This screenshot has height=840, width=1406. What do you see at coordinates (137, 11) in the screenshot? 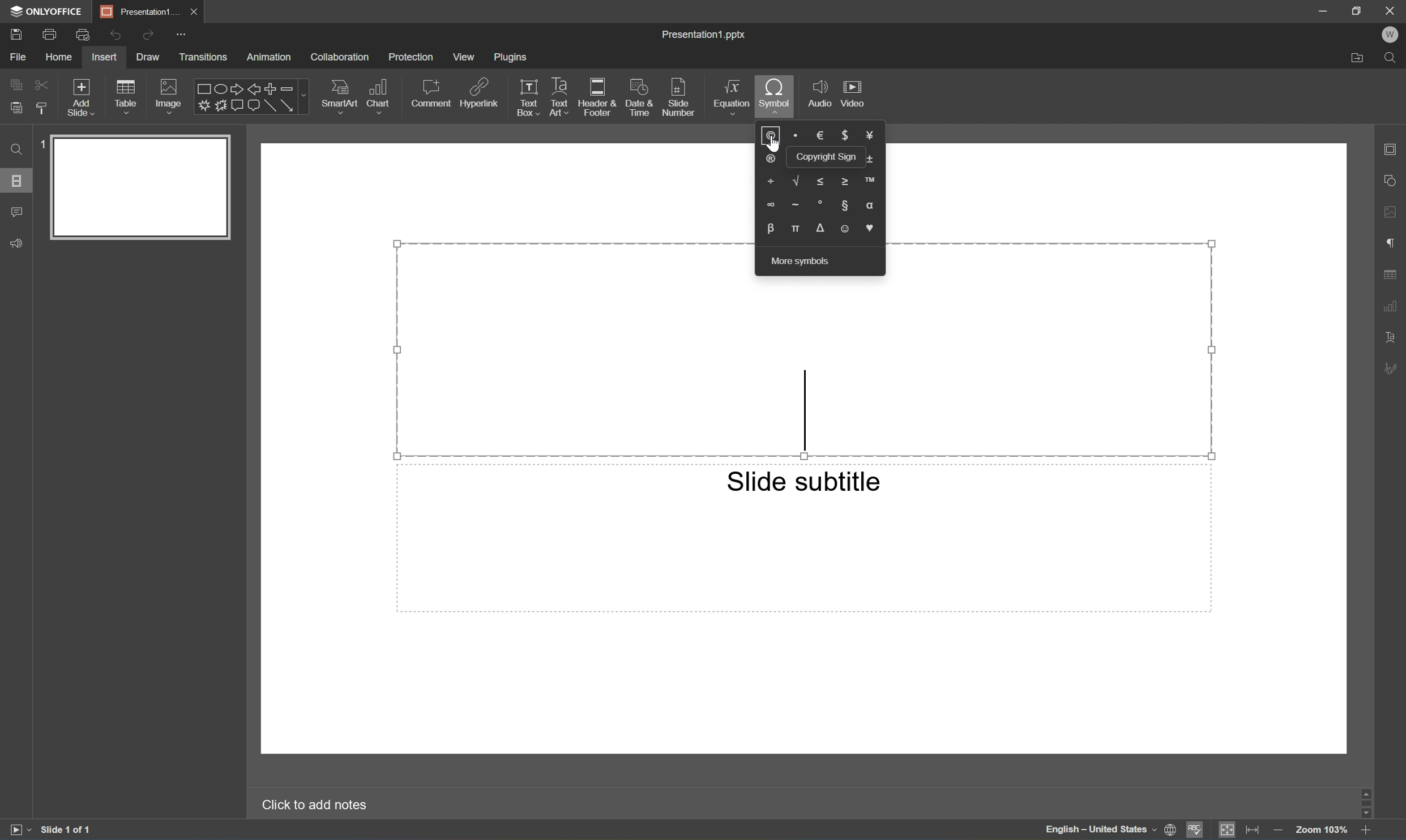
I see `Presentation1...` at bounding box center [137, 11].